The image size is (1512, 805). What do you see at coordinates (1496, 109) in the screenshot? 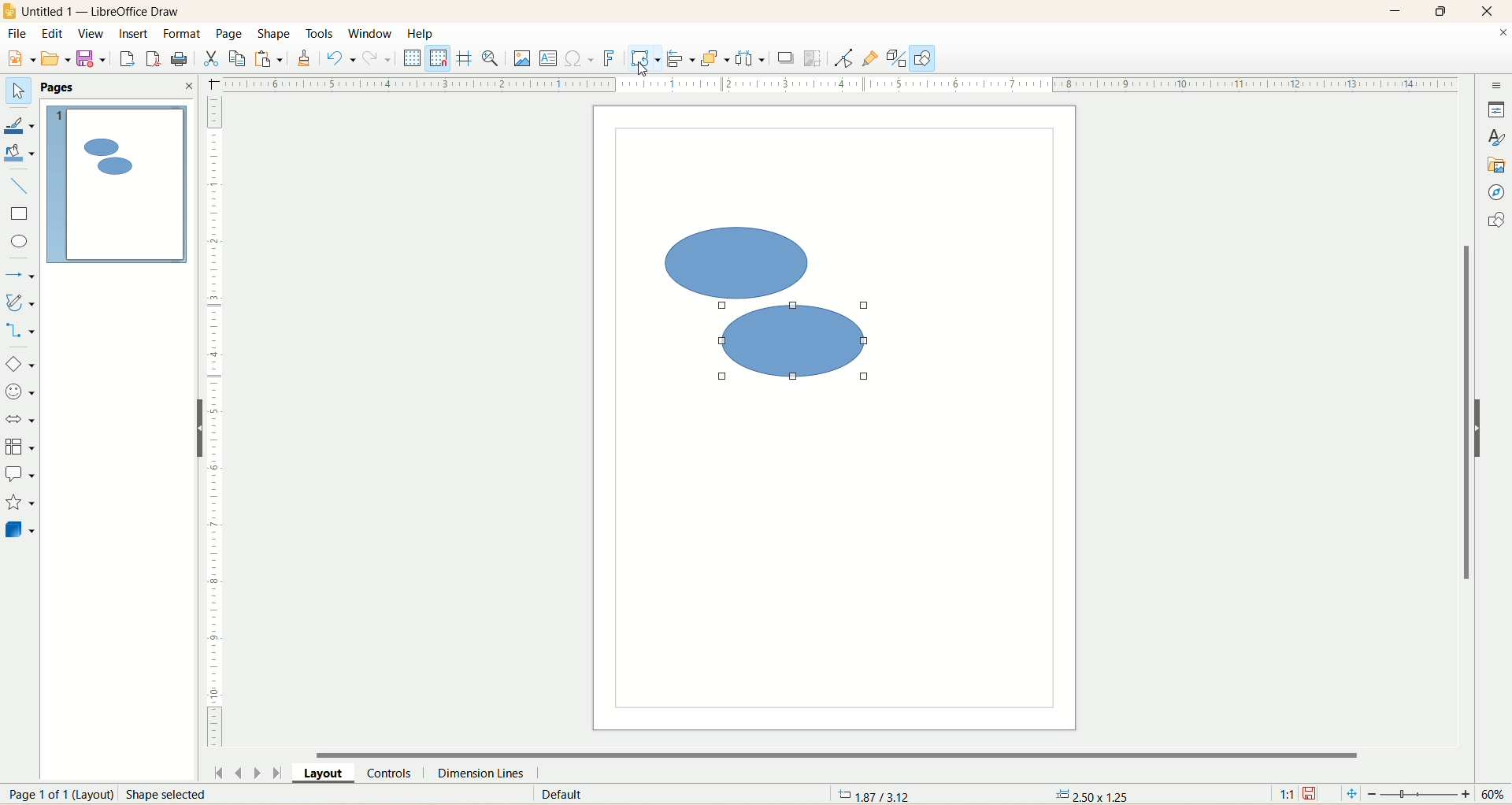
I see `properties` at bounding box center [1496, 109].